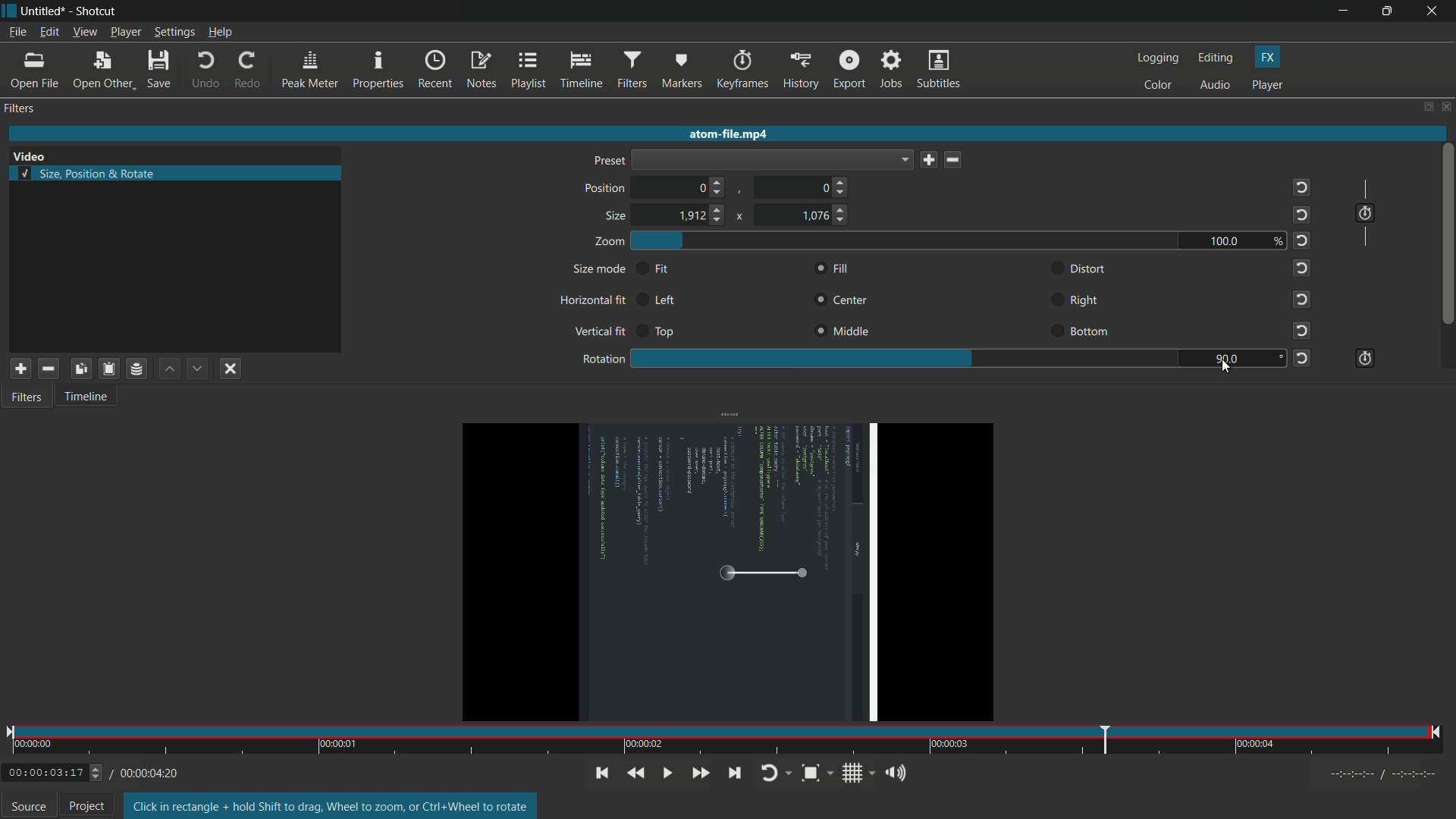 The image size is (1456, 819). What do you see at coordinates (941, 70) in the screenshot?
I see `subtitles` at bounding box center [941, 70].